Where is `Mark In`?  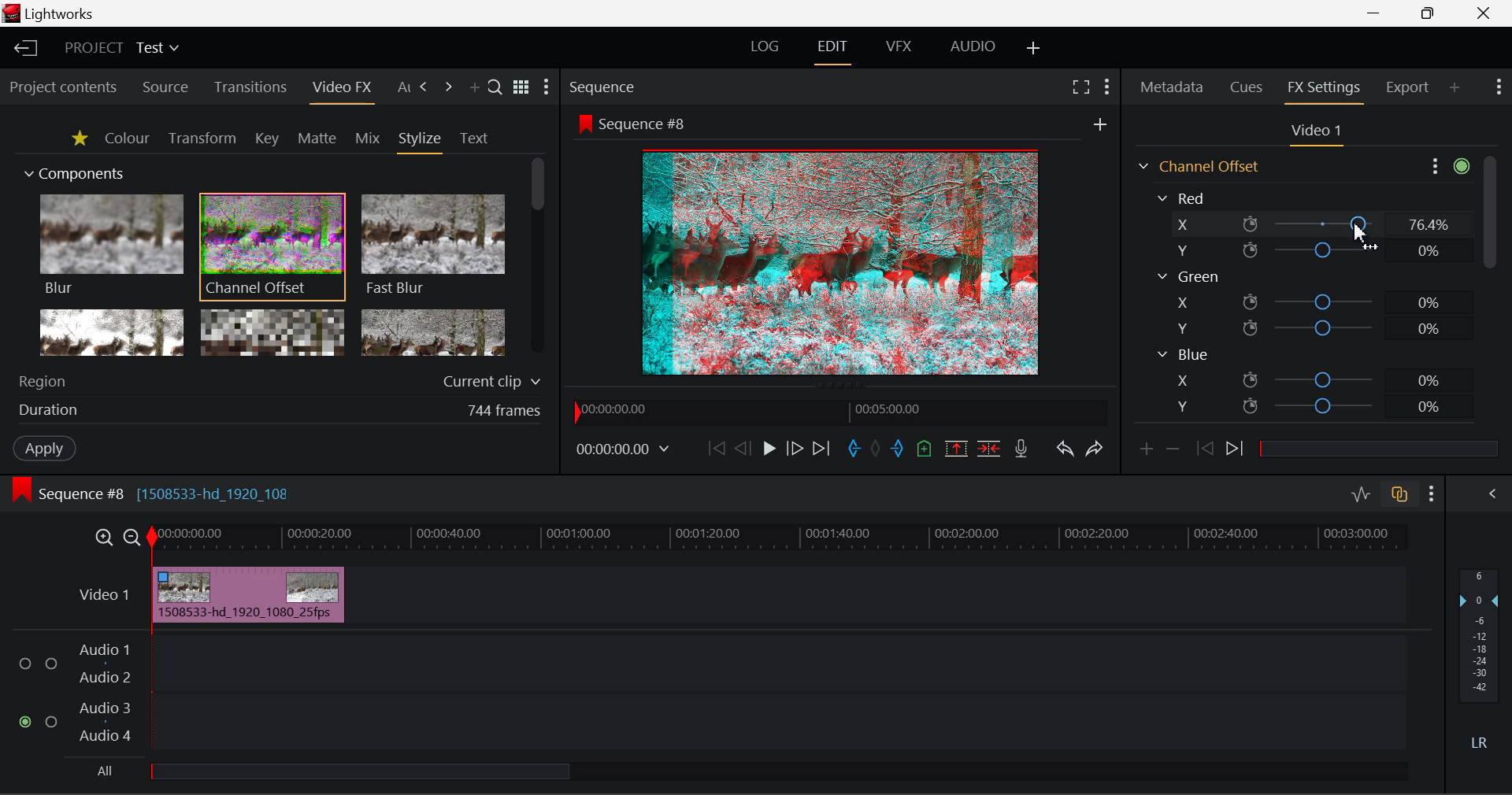 Mark In is located at coordinates (854, 449).